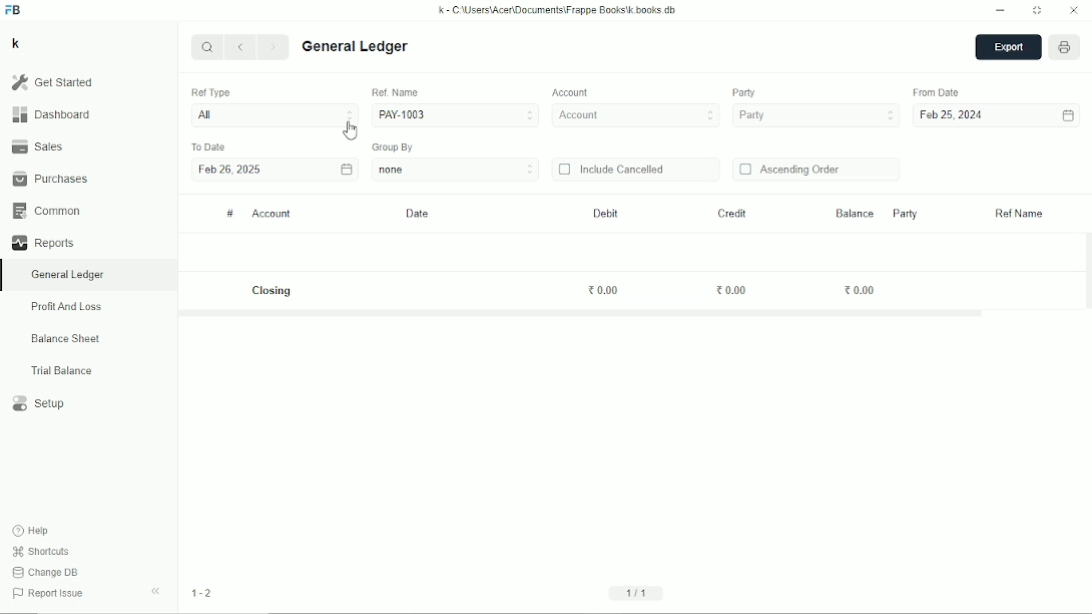 This screenshot has height=614, width=1092. What do you see at coordinates (51, 595) in the screenshot?
I see `Report issue` at bounding box center [51, 595].